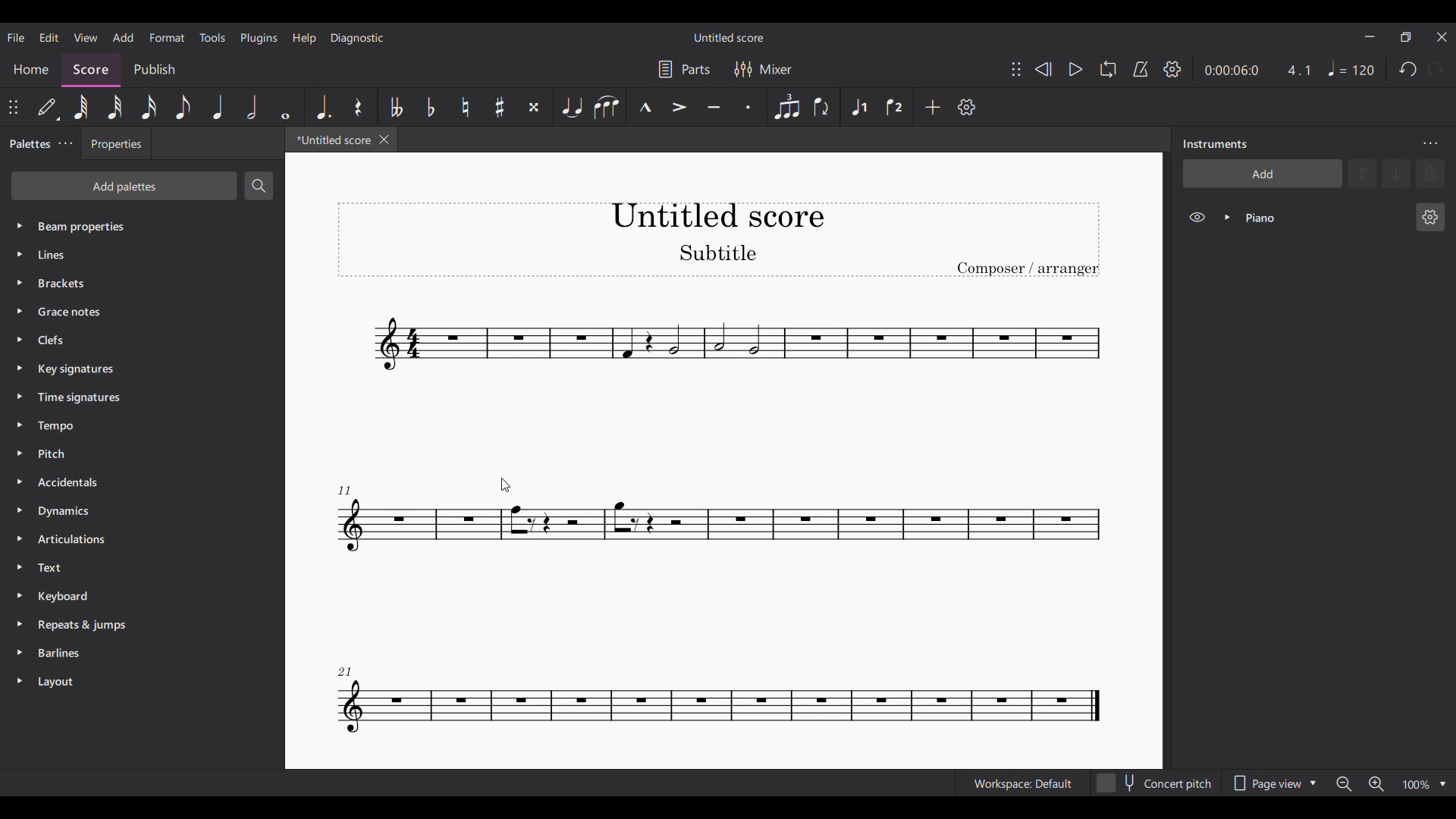 This screenshot has width=1456, height=819. I want to click on Redo, so click(1436, 69).